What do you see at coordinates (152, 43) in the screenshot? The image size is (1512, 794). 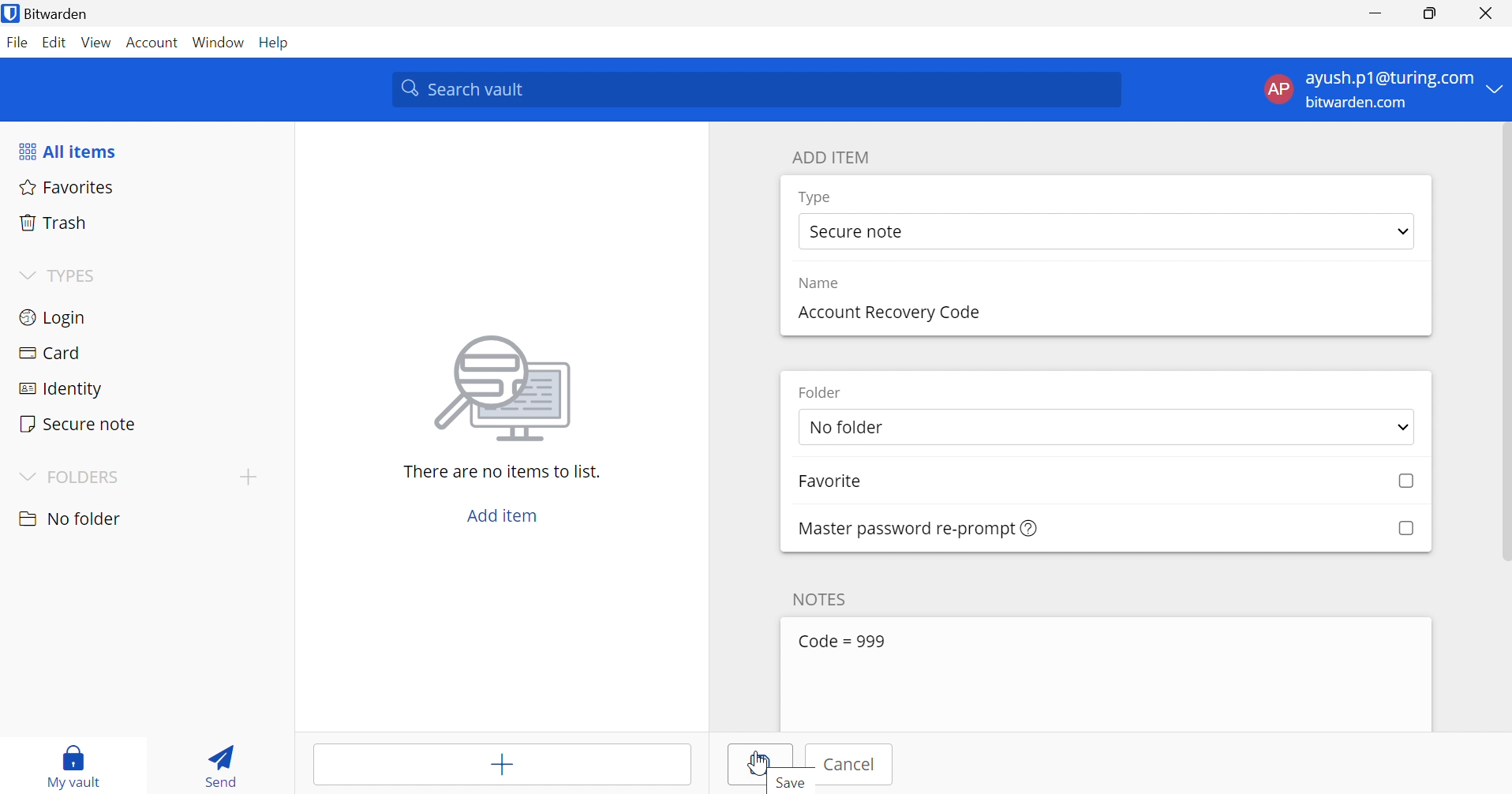 I see `Account` at bounding box center [152, 43].